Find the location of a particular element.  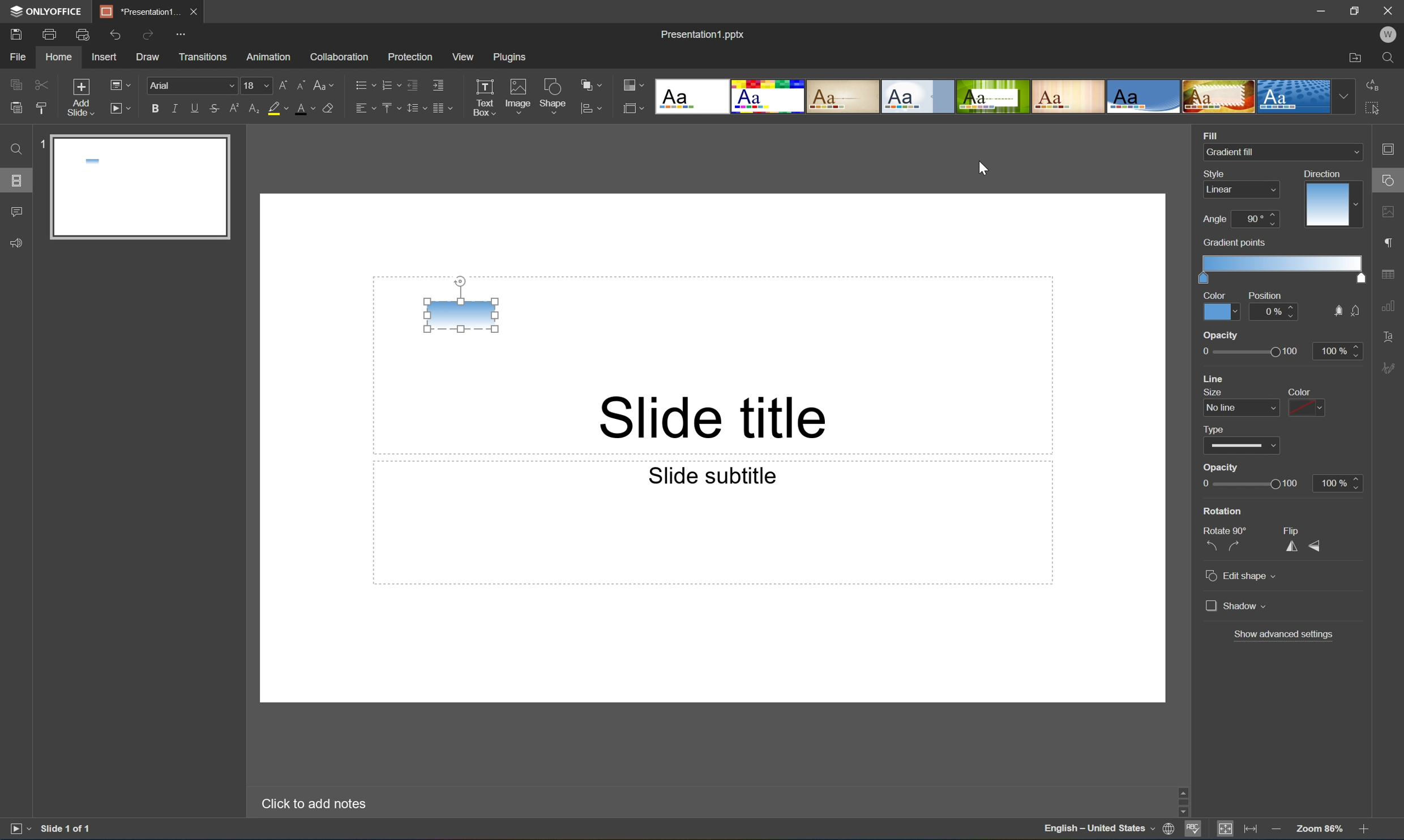

Zoom out is located at coordinates (1275, 829).